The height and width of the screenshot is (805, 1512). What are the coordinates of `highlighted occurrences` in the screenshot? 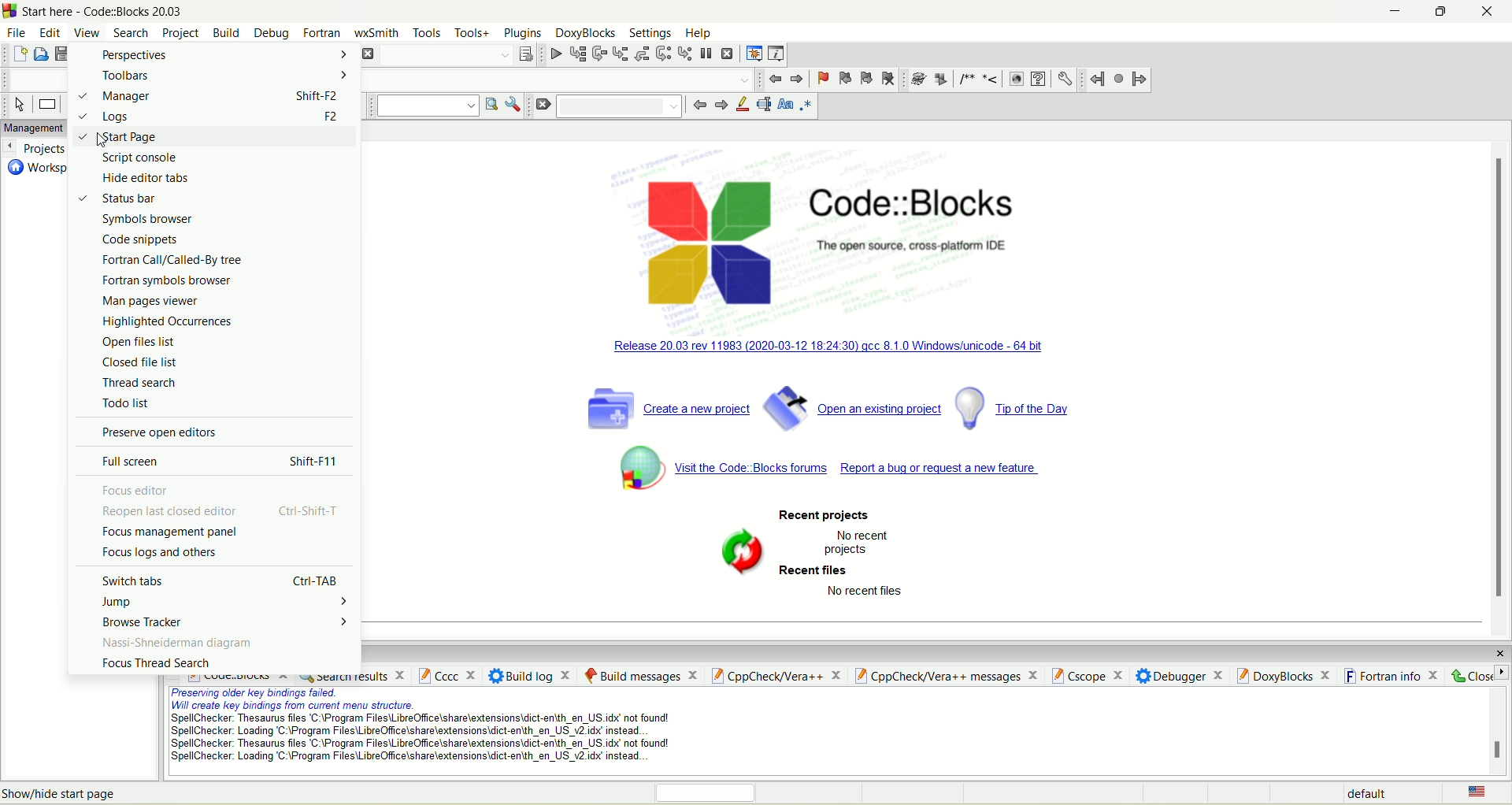 It's located at (169, 321).